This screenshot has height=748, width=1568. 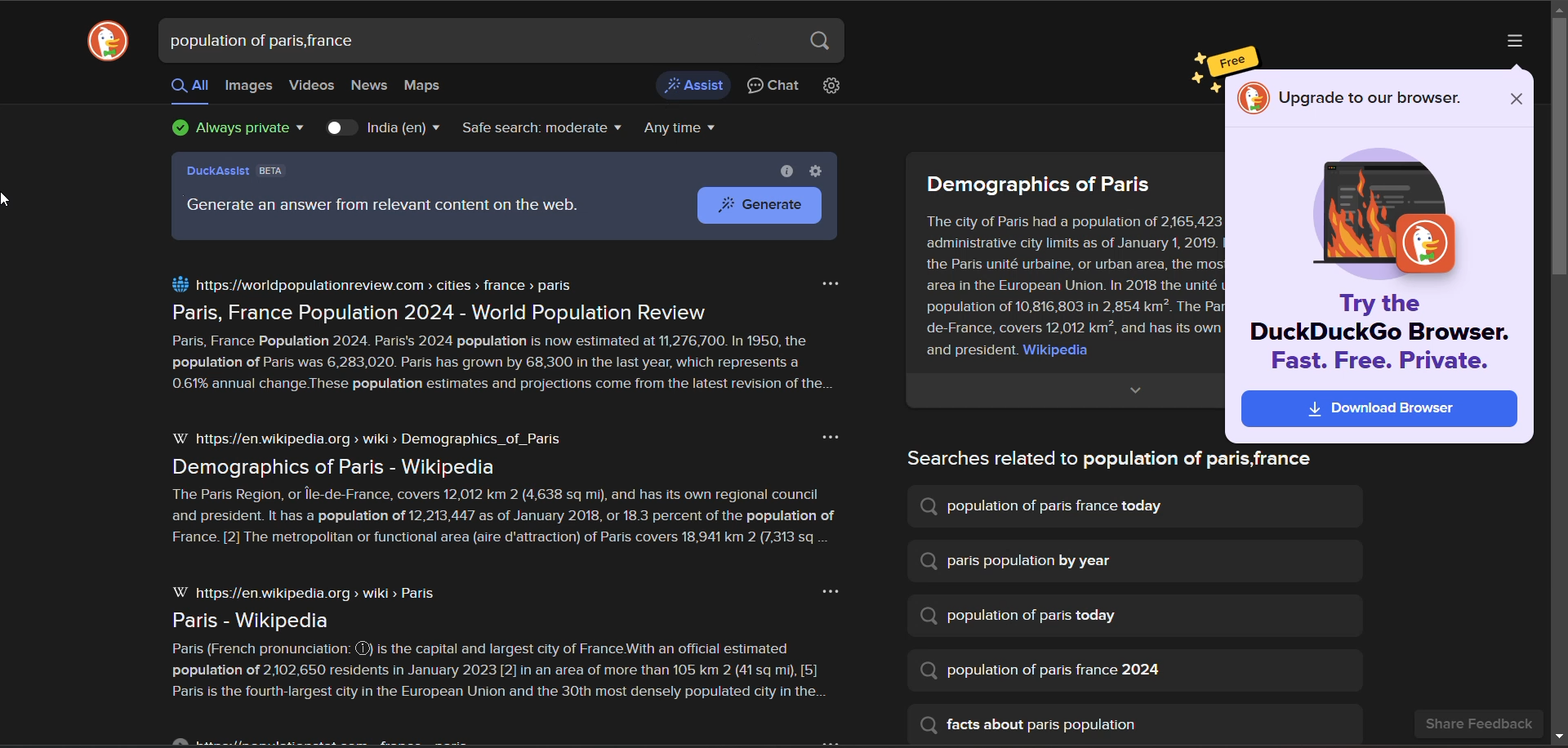 What do you see at coordinates (684, 130) in the screenshot?
I see `result timeline filter` at bounding box center [684, 130].